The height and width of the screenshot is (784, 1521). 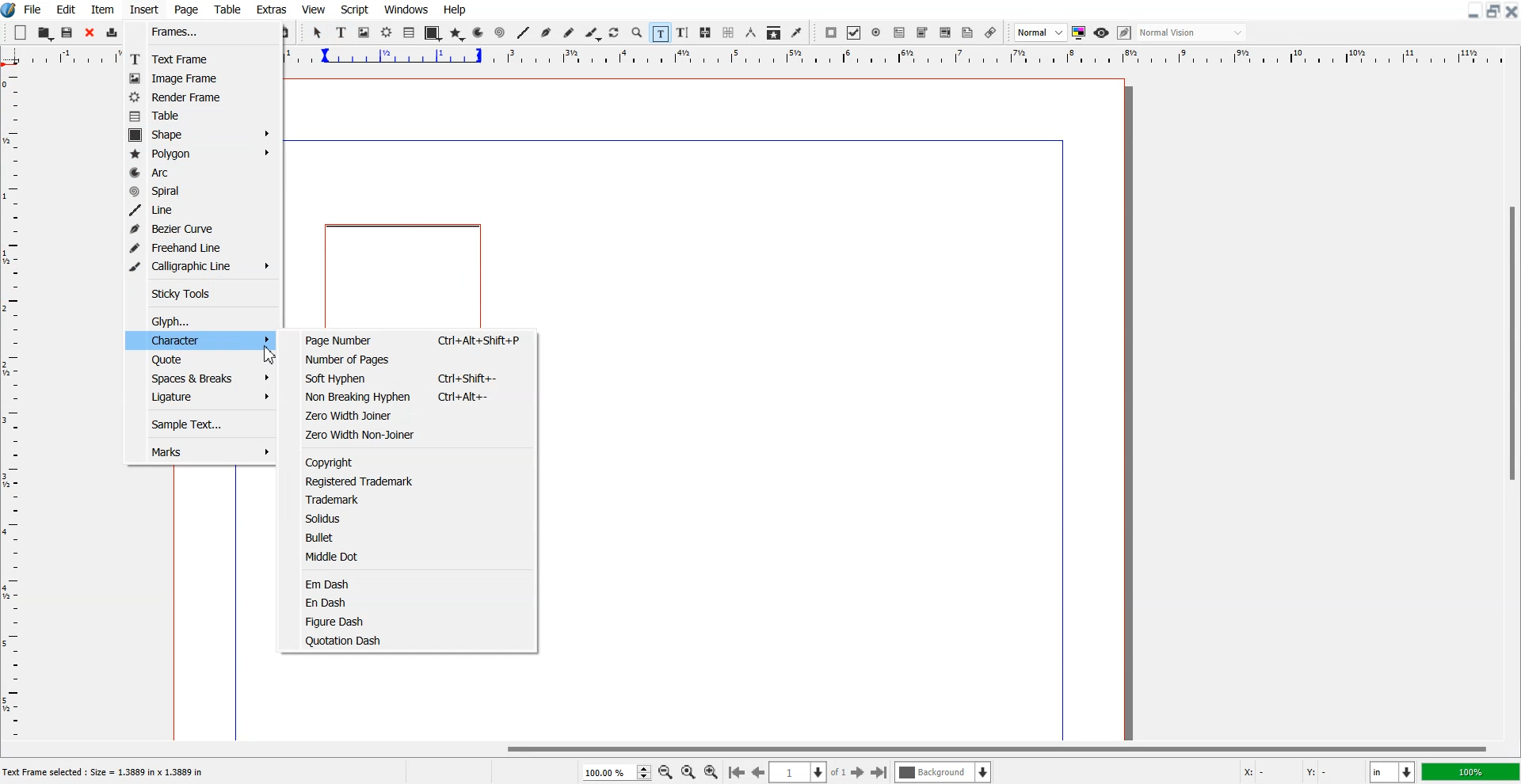 I want to click on Zoom In, so click(x=711, y=771).